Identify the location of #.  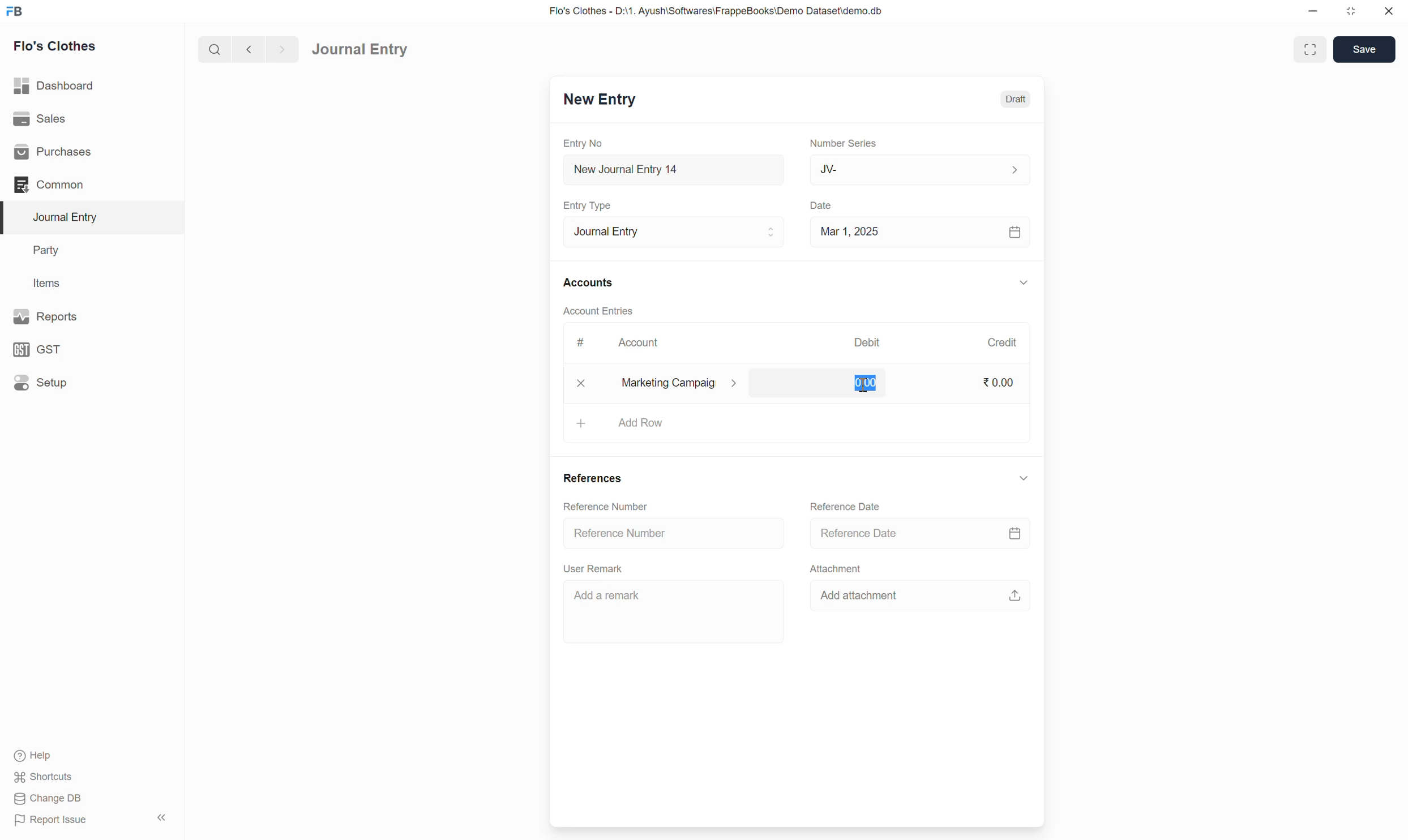
(581, 342).